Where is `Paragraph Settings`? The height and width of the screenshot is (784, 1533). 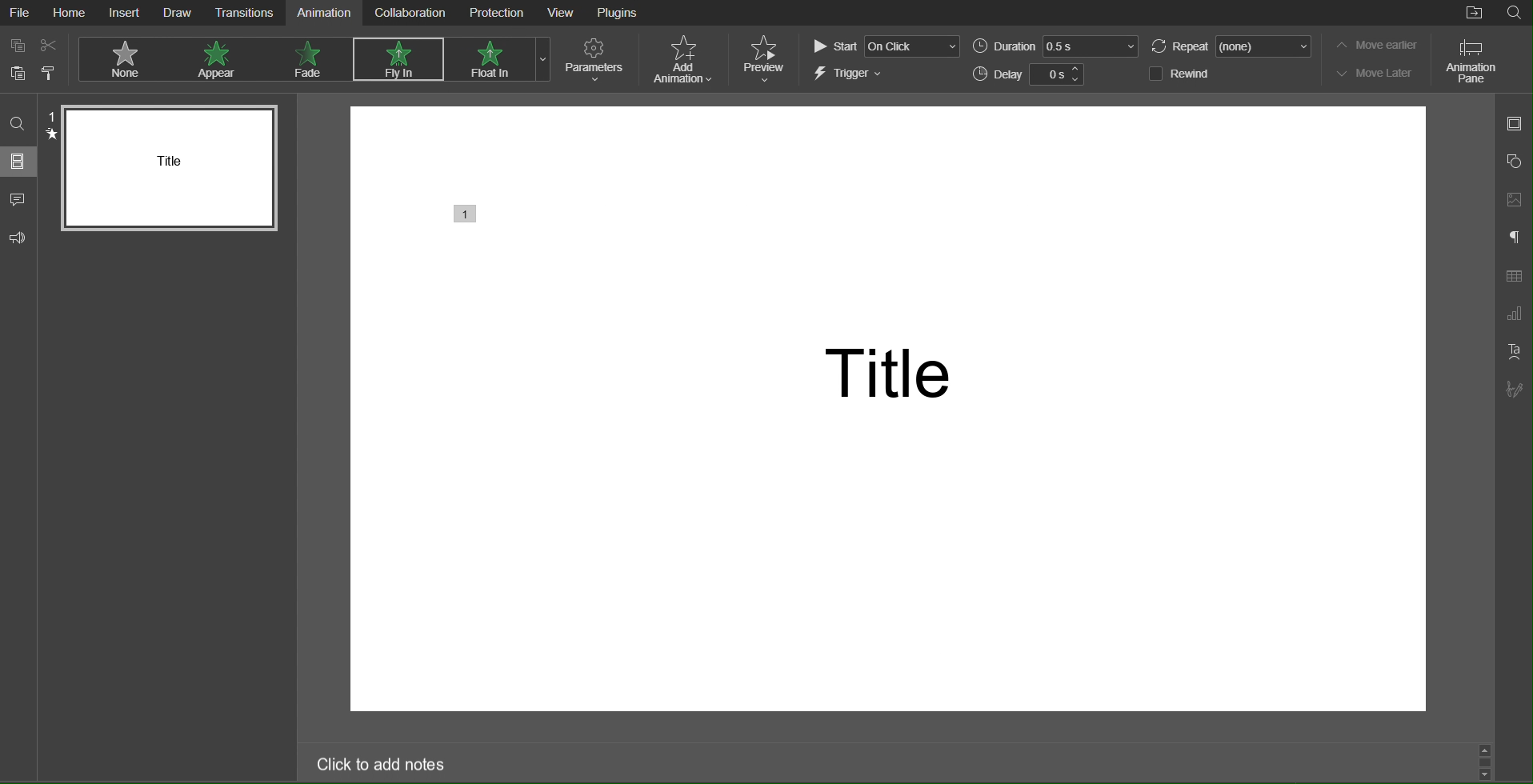 Paragraph Settings is located at coordinates (1514, 237).